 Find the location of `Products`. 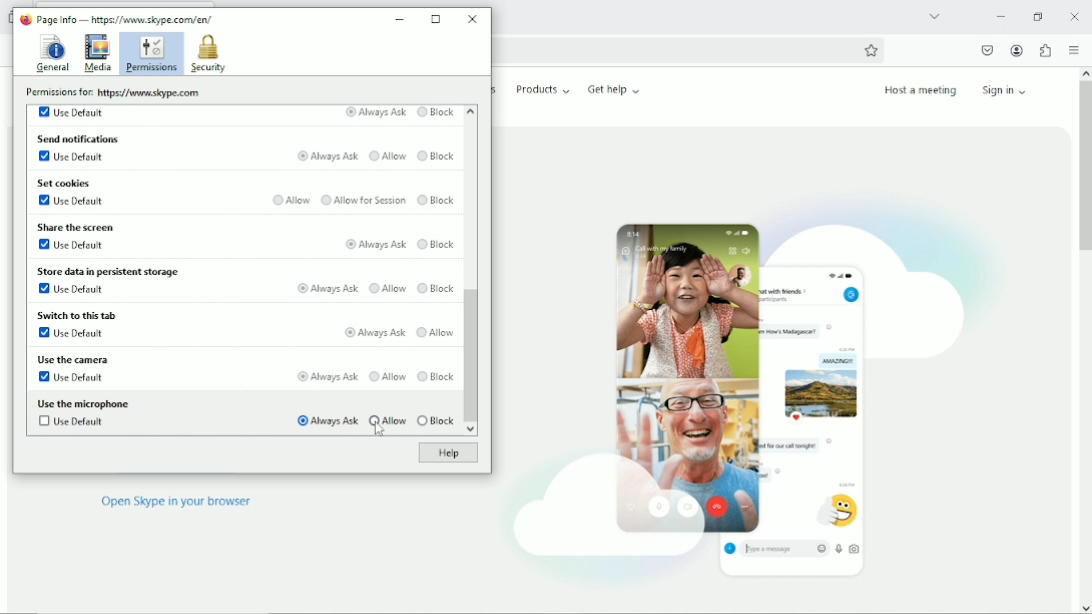

Products is located at coordinates (543, 89).